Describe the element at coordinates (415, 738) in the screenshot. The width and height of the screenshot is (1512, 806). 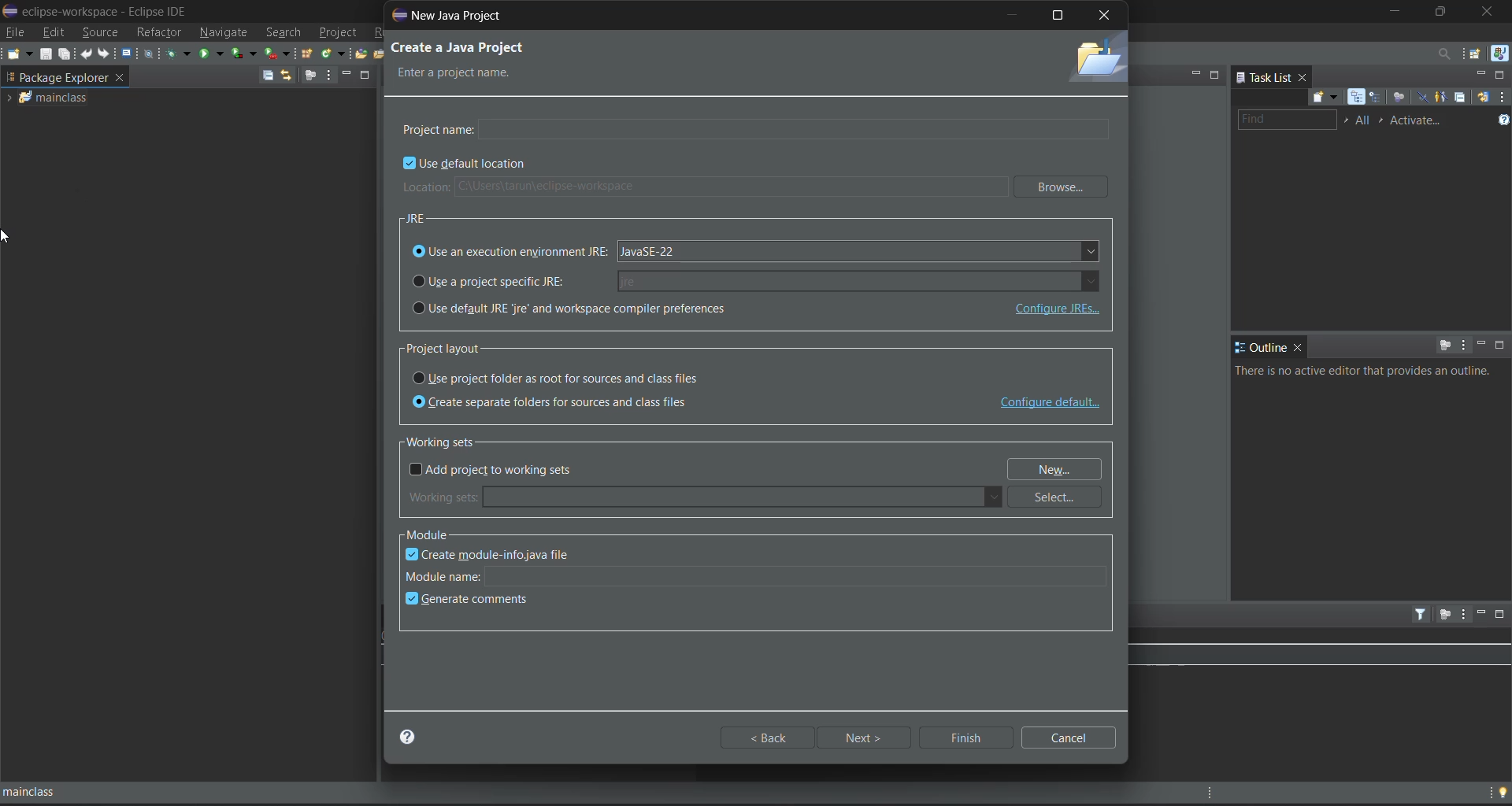
I see `help` at that location.